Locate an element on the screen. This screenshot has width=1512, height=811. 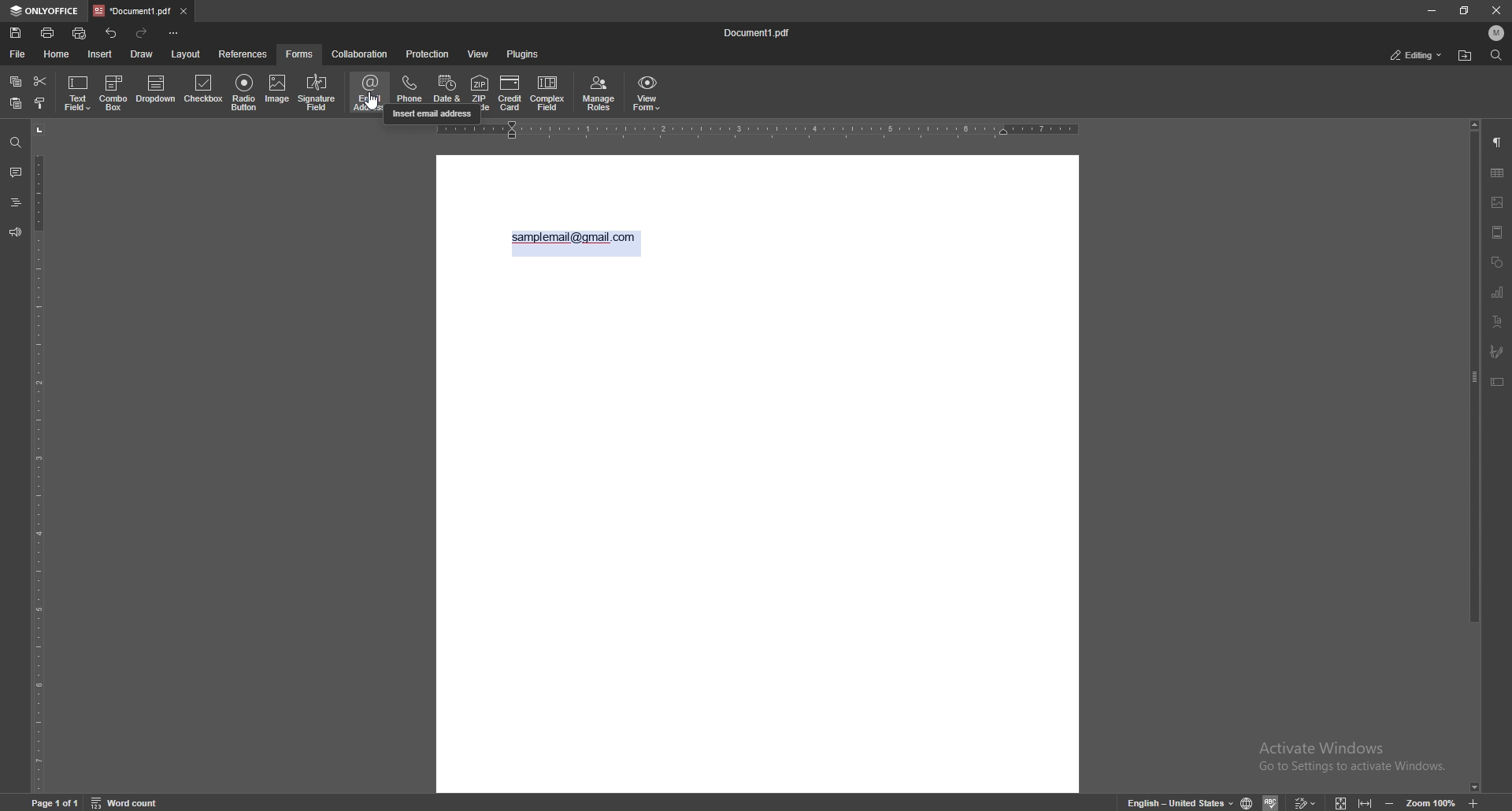
date and time is located at coordinates (448, 91).